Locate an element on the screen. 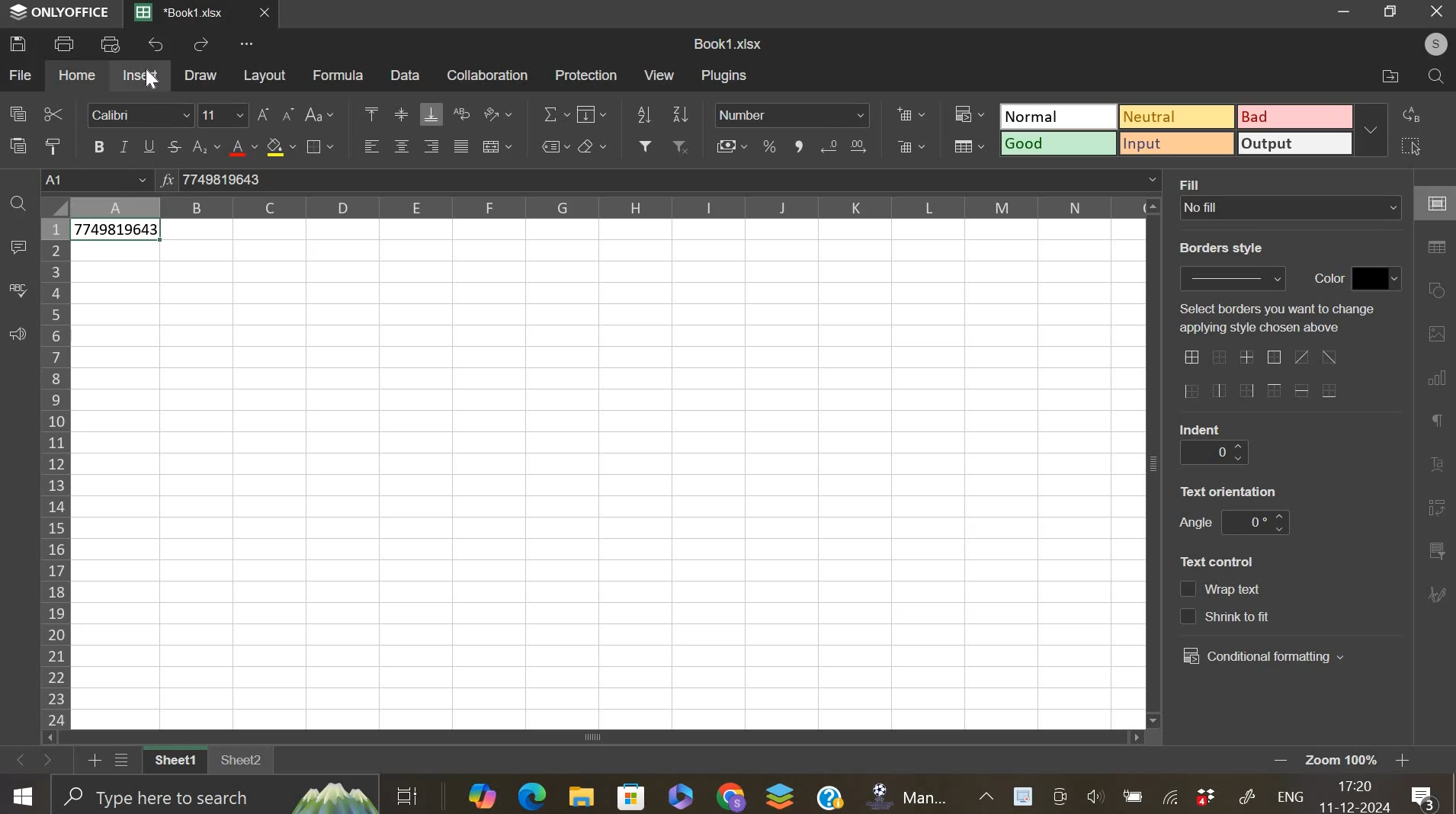  text is located at coordinates (1217, 562).